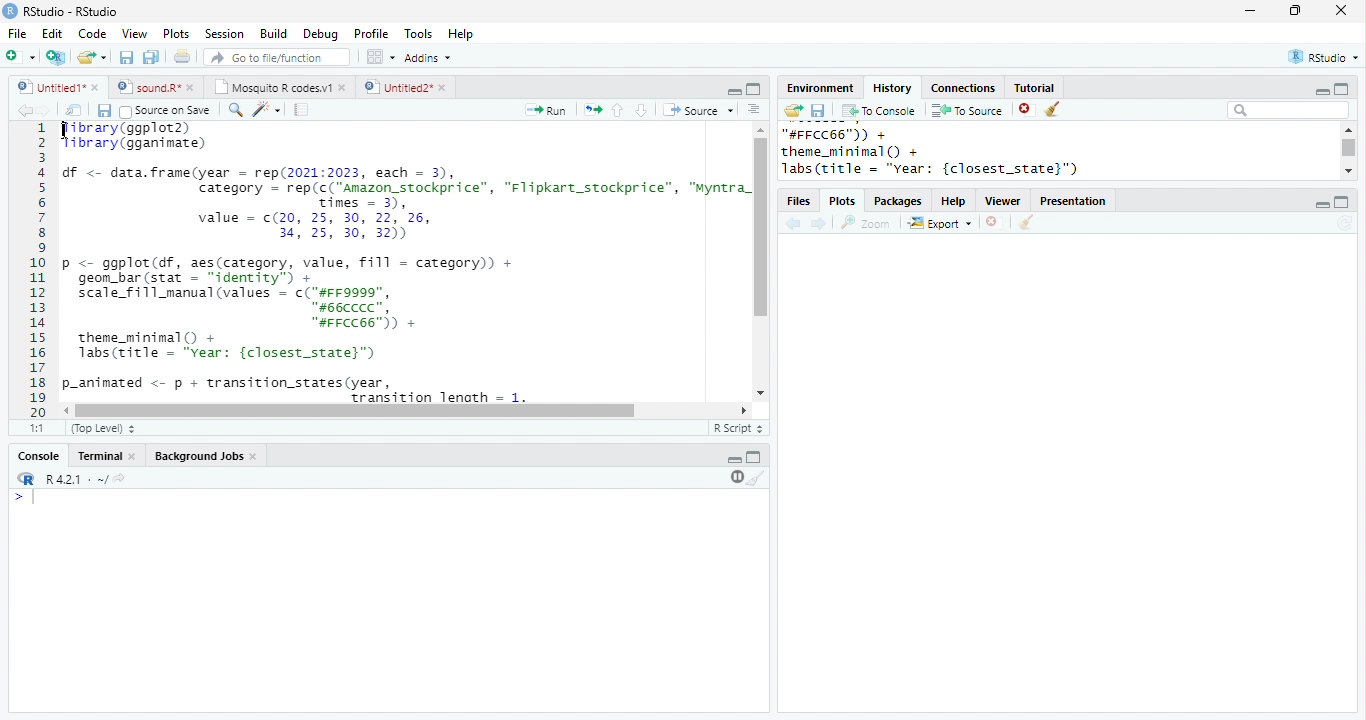 Image resolution: width=1366 pixels, height=720 pixels. Describe the element at coordinates (135, 33) in the screenshot. I see `View` at that location.